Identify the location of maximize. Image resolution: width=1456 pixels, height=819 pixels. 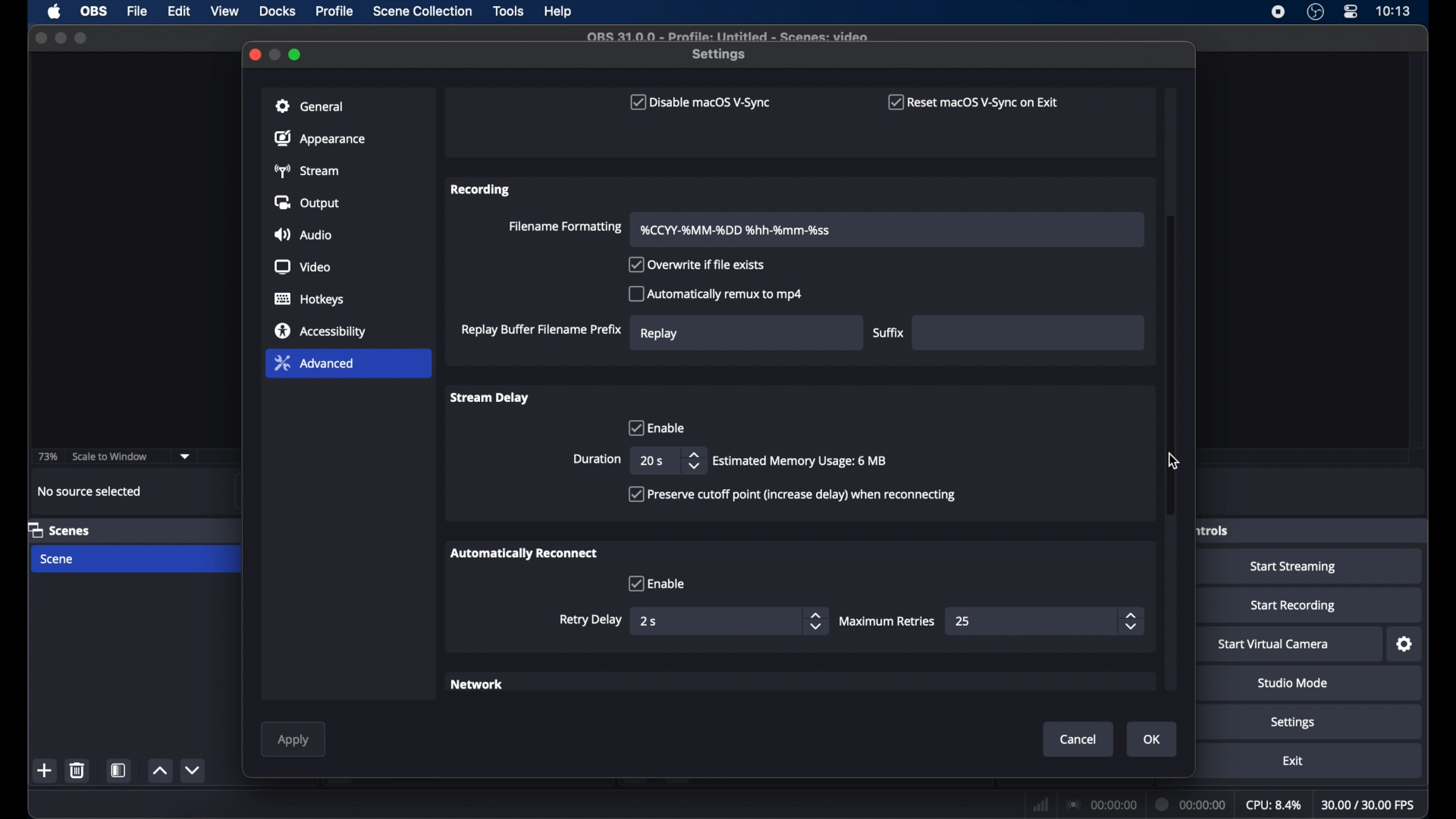
(297, 55).